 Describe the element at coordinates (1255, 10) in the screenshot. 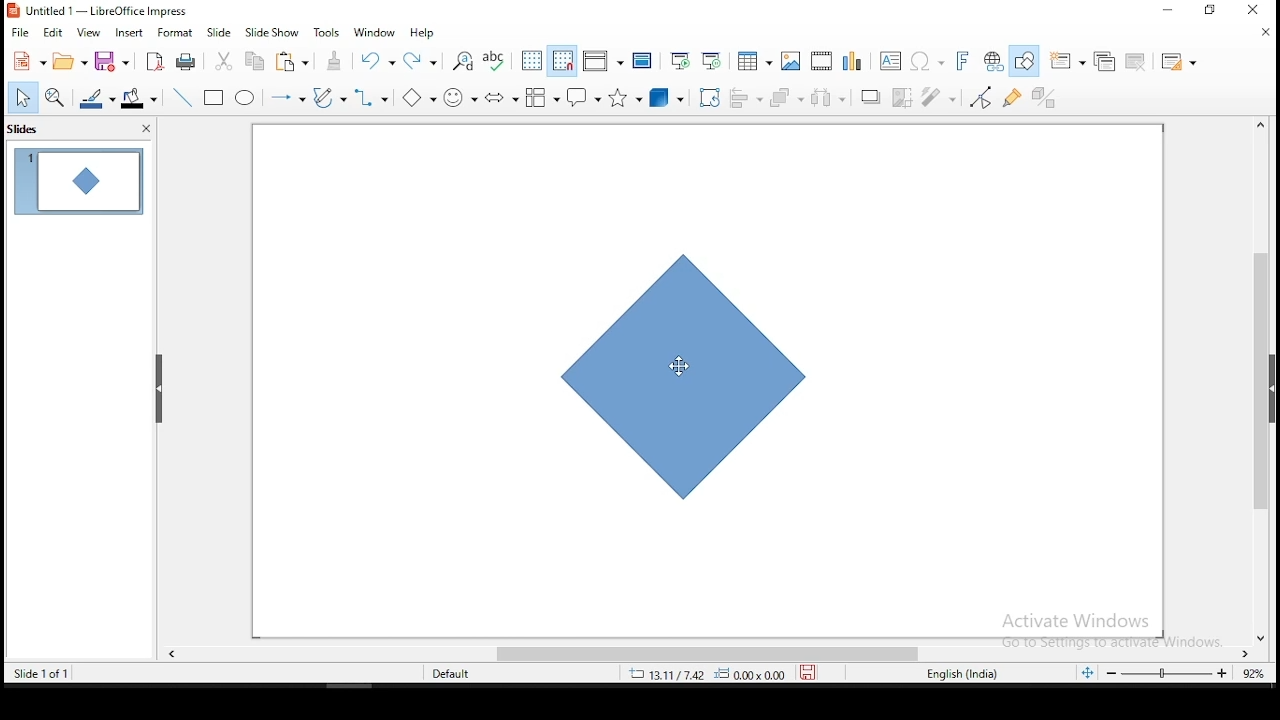

I see `close window` at that location.